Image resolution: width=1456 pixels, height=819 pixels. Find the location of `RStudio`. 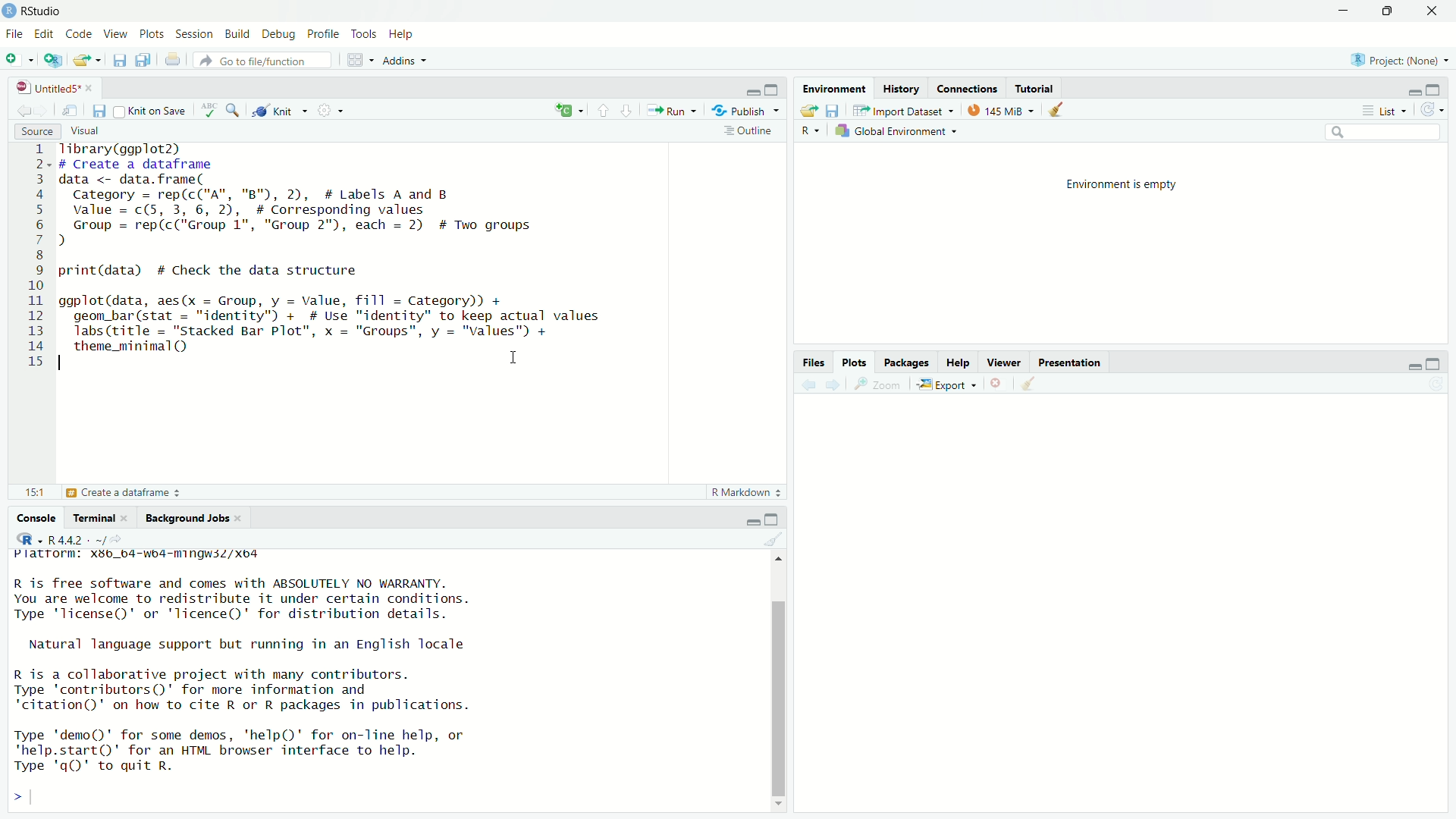

RStudio is located at coordinates (37, 10).